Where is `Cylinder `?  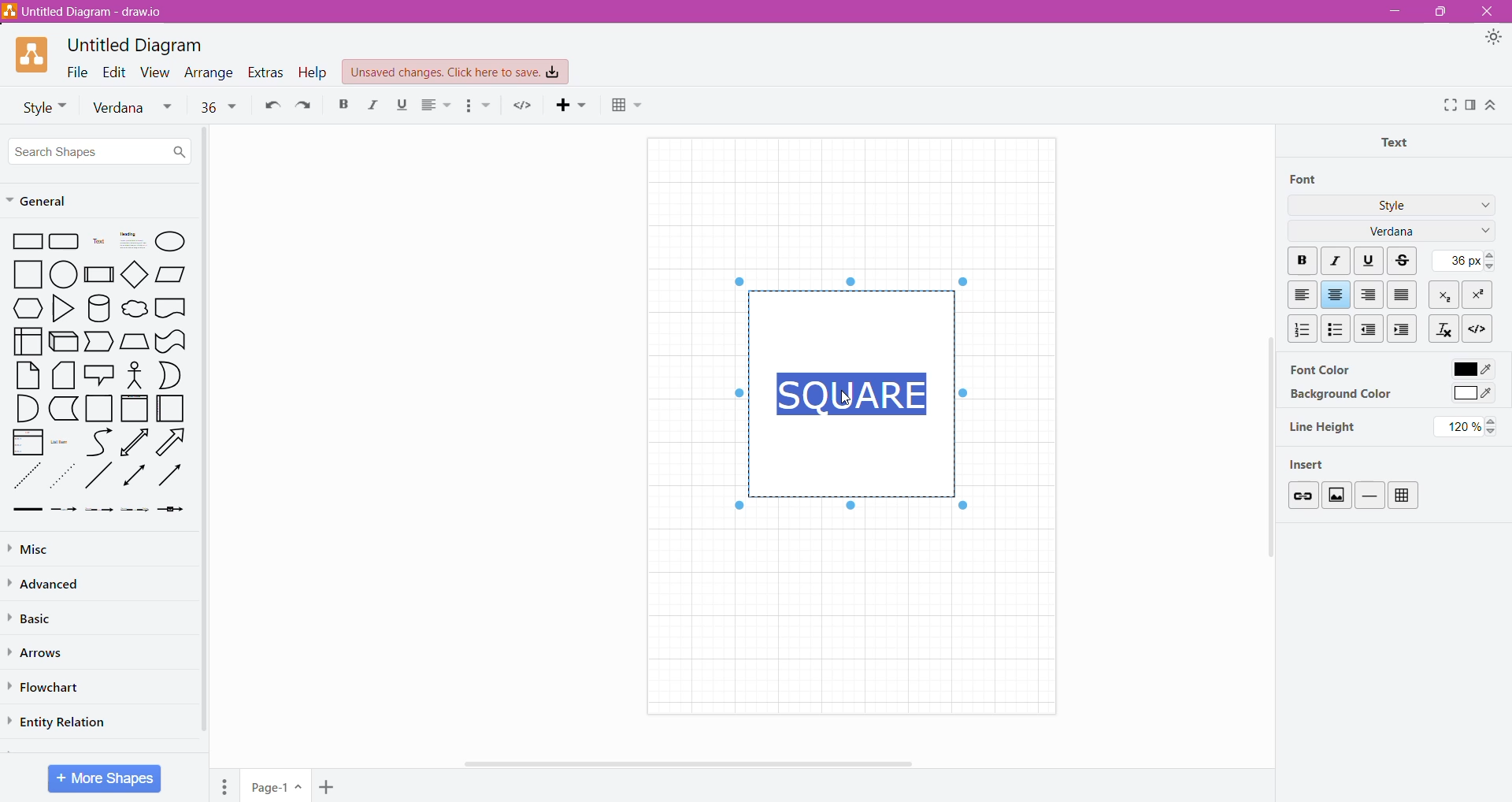 Cylinder  is located at coordinates (99, 308).